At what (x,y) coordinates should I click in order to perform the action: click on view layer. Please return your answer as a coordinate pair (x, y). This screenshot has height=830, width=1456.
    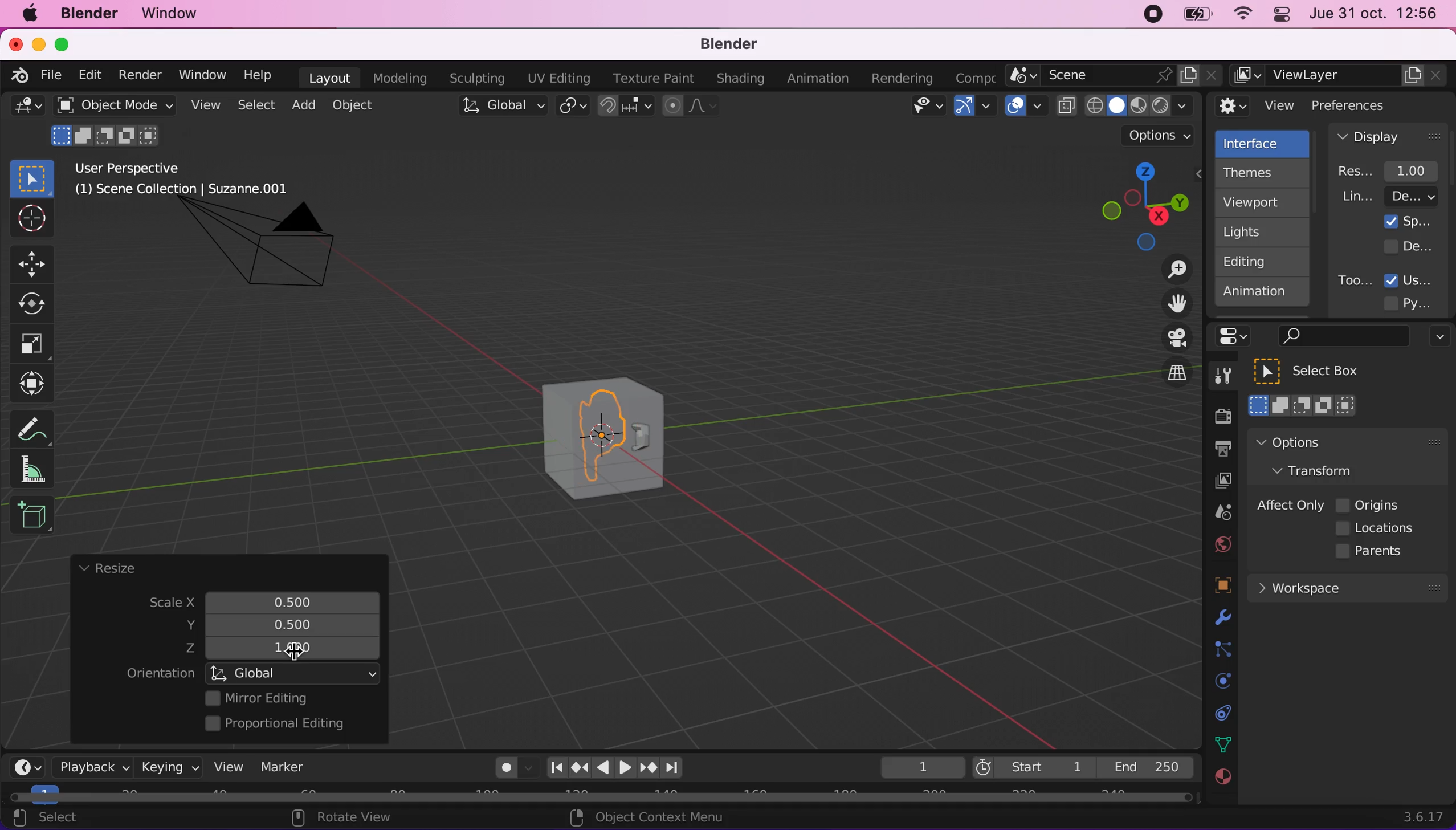
    Looking at the image, I should click on (1217, 482).